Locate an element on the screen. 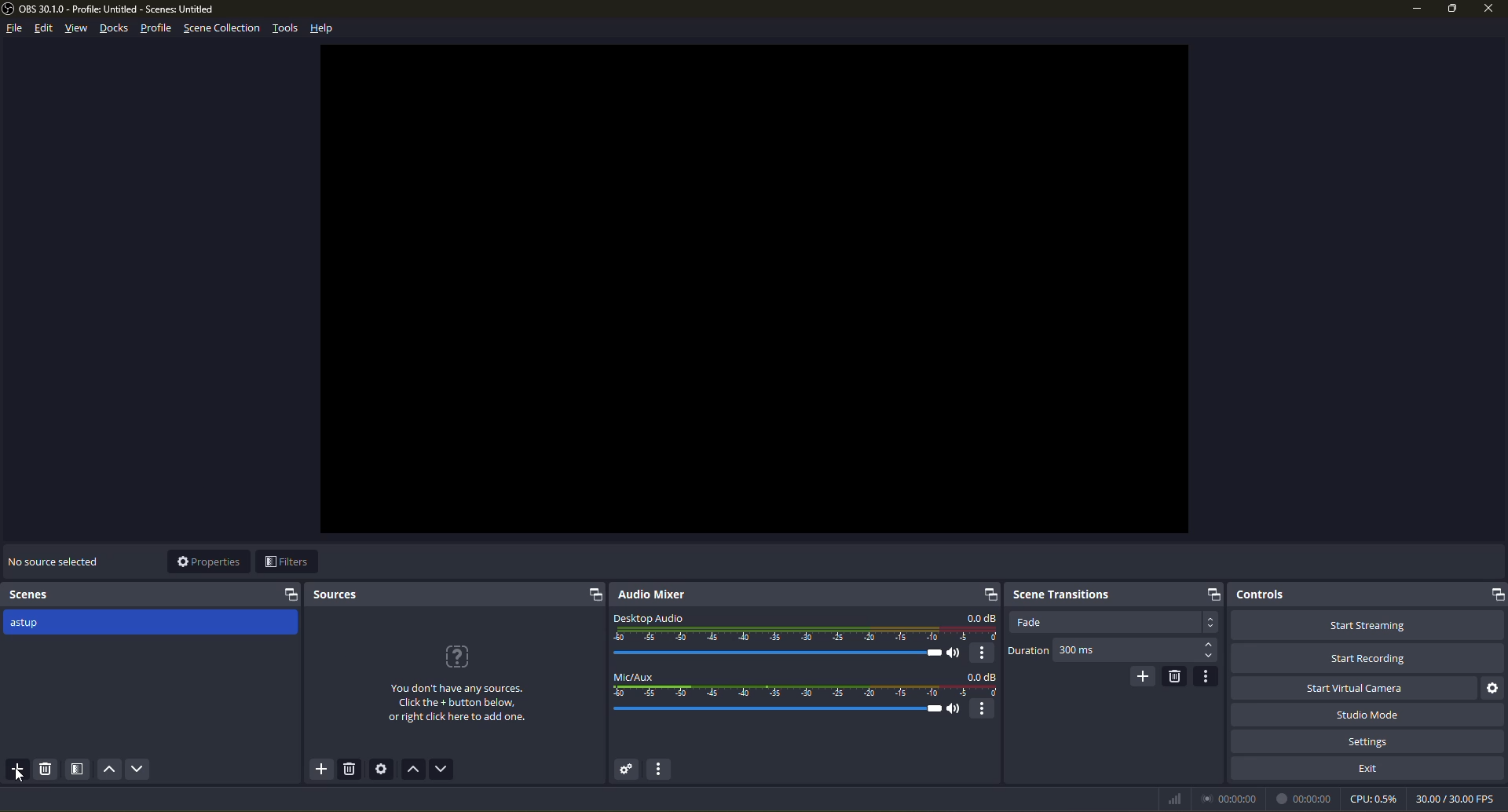 This screenshot has height=812, width=1508. remove configurable transition is located at coordinates (1175, 676).